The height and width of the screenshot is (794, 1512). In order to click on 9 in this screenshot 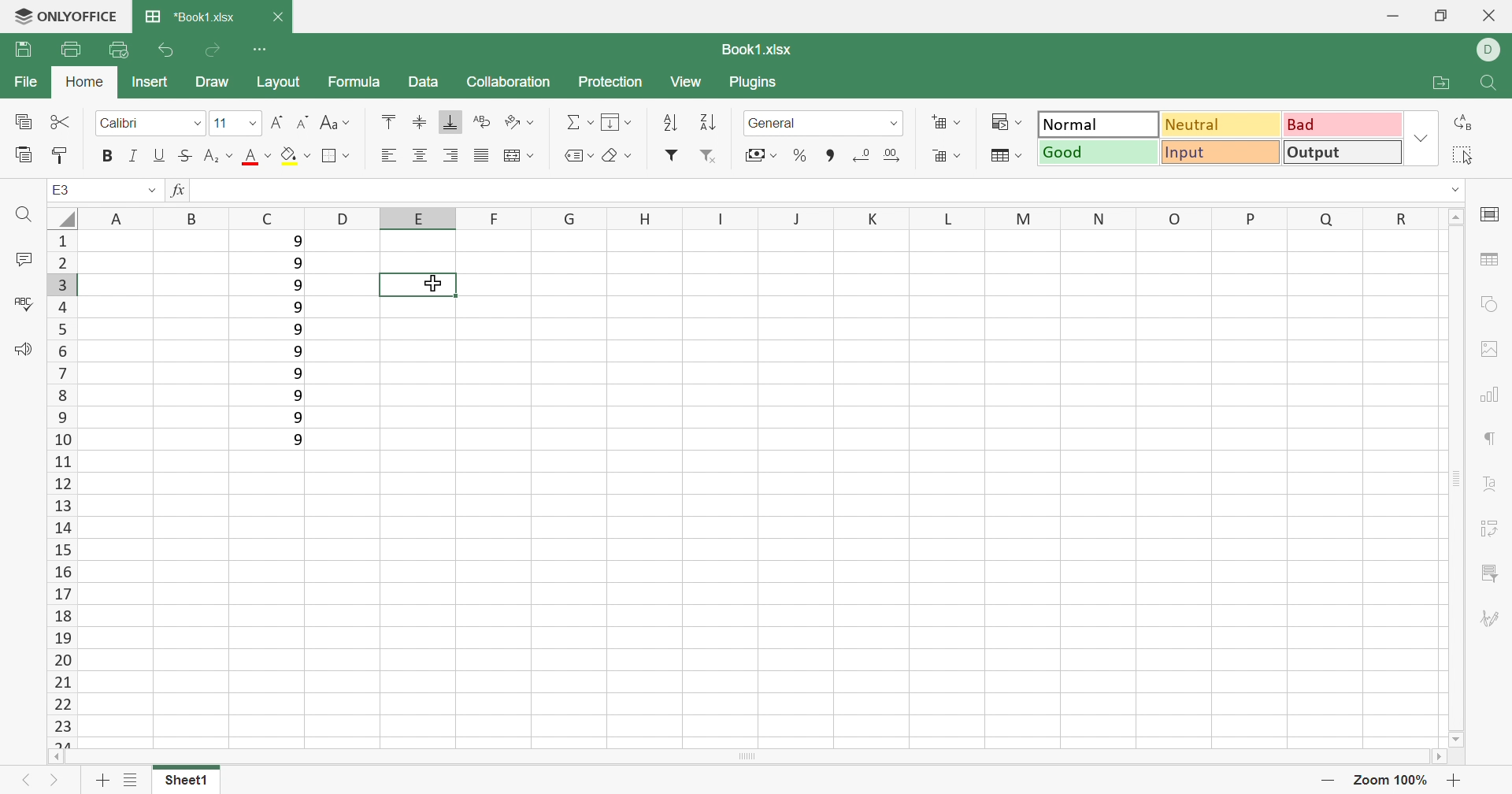, I will do `click(299, 440)`.